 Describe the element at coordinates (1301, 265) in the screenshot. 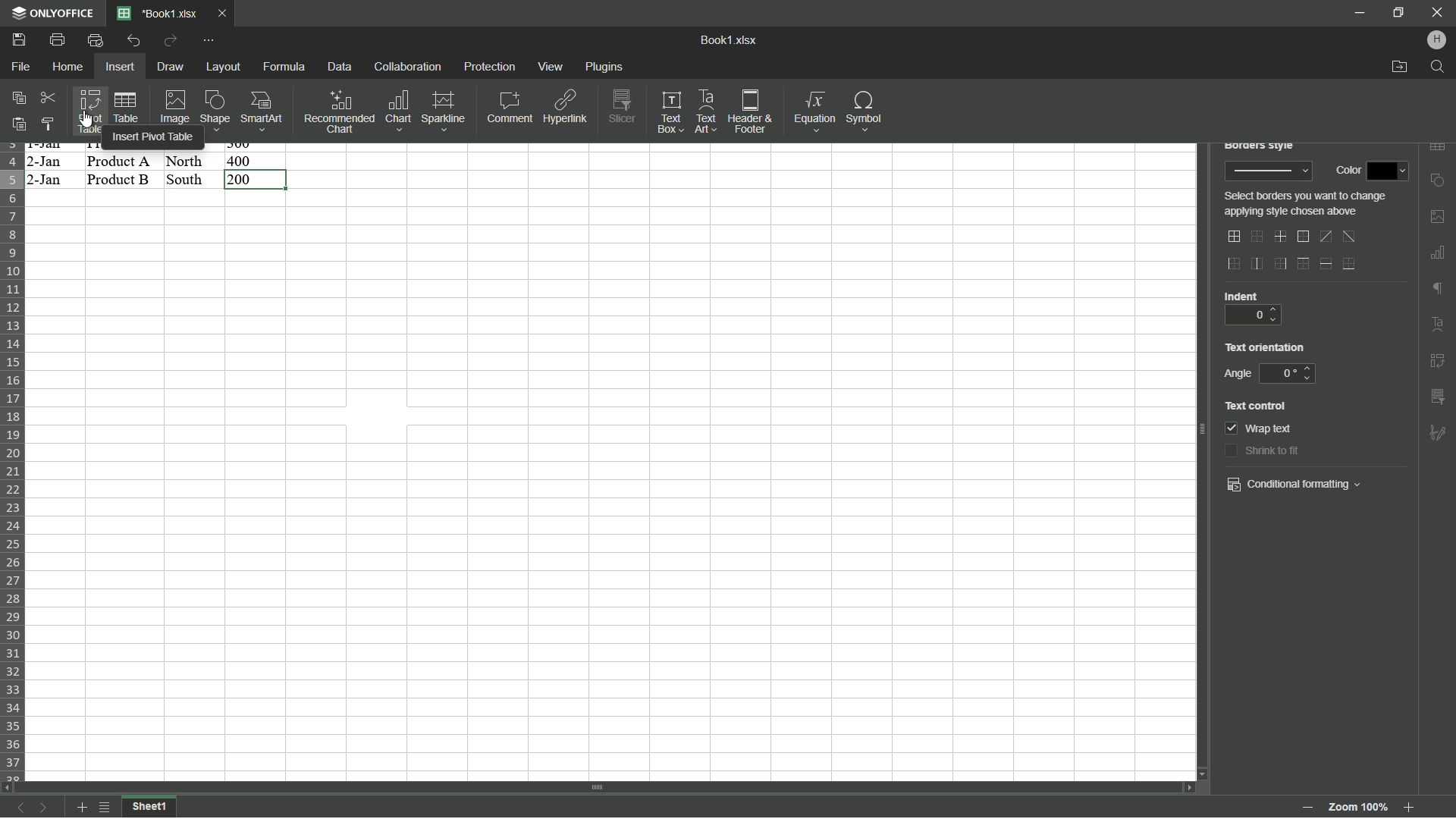

I see `outer top line` at that location.